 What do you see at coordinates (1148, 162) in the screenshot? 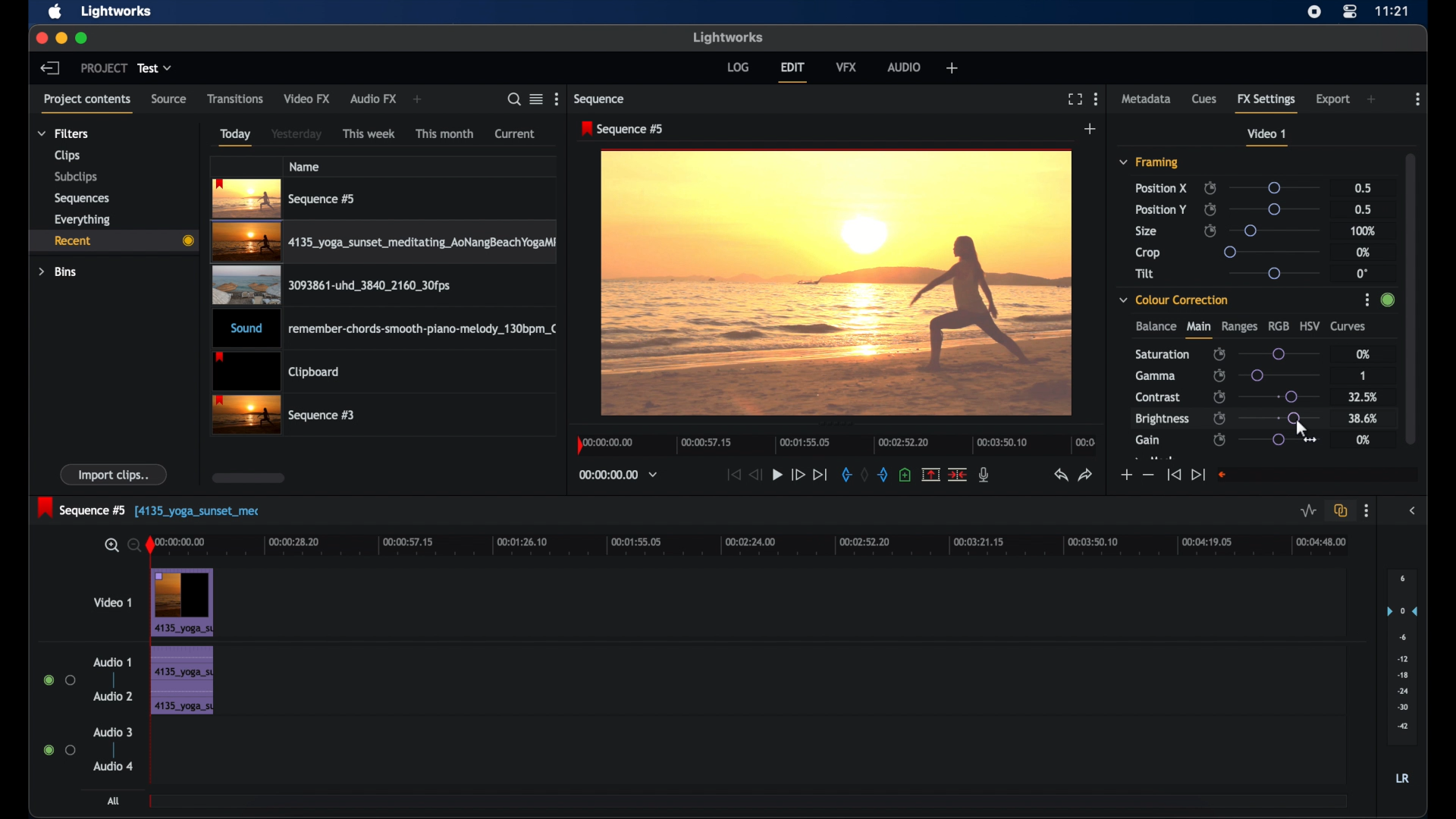
I see `framing` at bounding box center [1148, 162].